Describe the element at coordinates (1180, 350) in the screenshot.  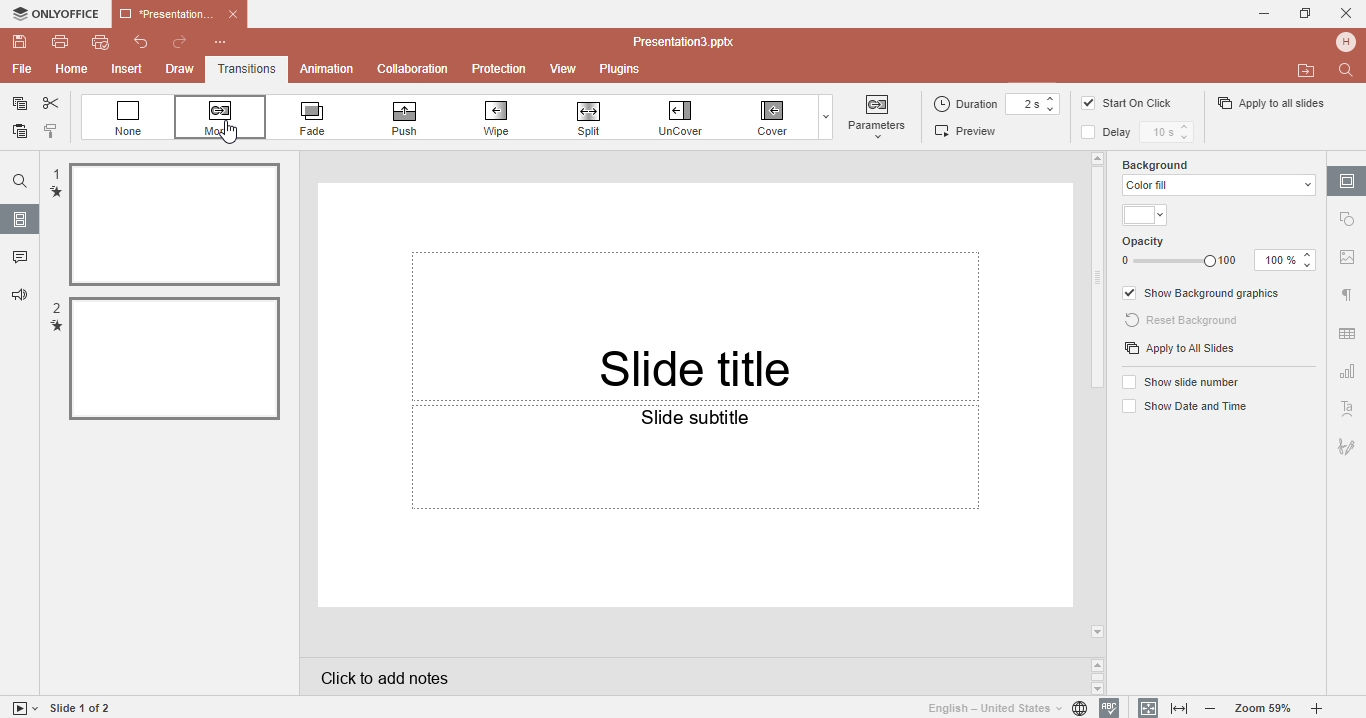
I see `Apply to all slides` at that location.